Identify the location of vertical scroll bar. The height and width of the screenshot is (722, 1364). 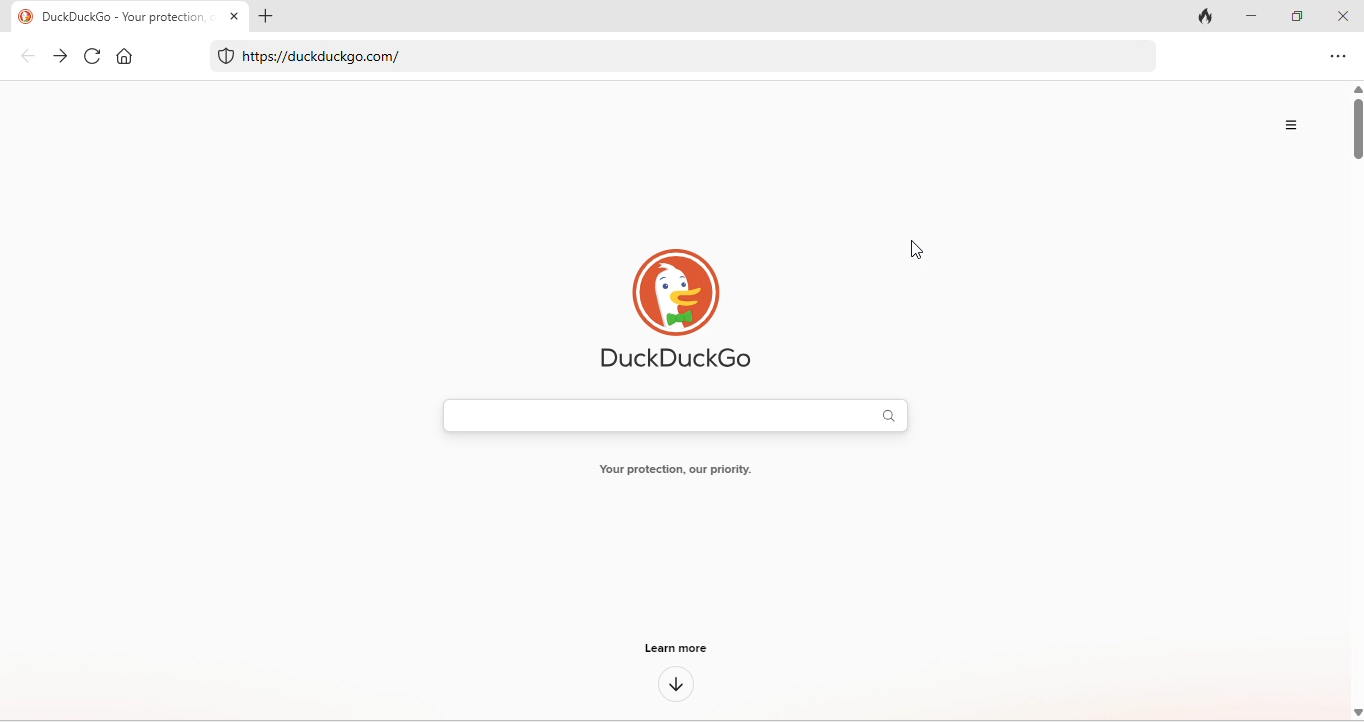
(1355, 124).